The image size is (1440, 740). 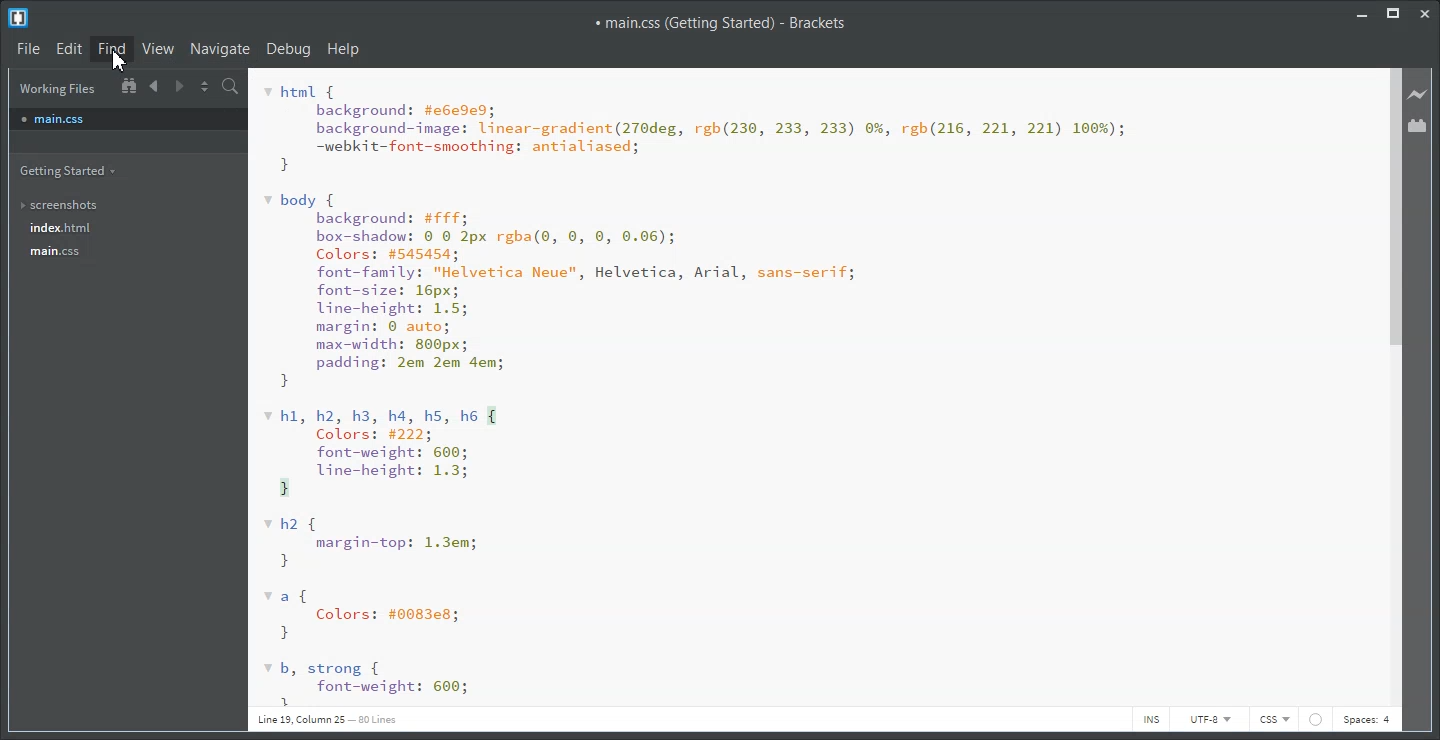 What do you see at coordinates (220, 48) in the screenshot?
I see `Navigate` at bounding box center [220, 48].